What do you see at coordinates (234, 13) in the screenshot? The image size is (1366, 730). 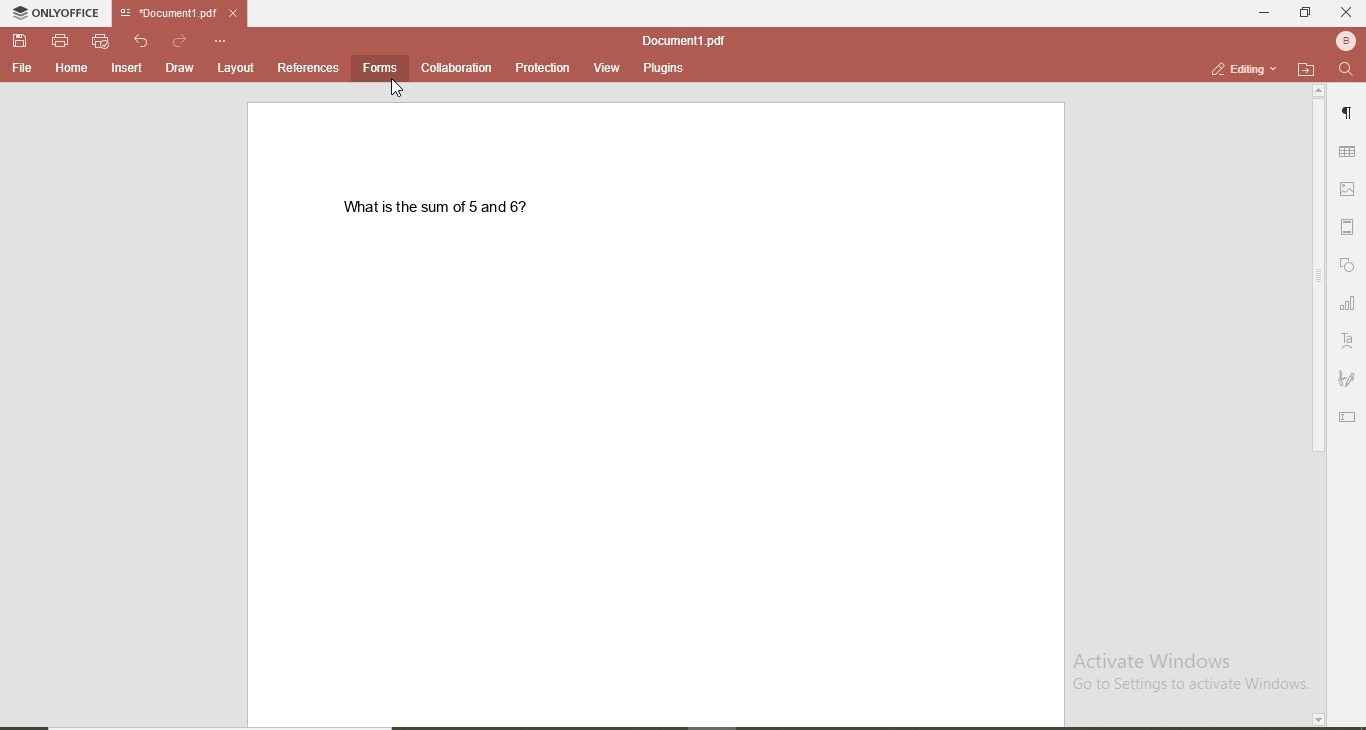 I see `close` at bounding box center [234, 13].